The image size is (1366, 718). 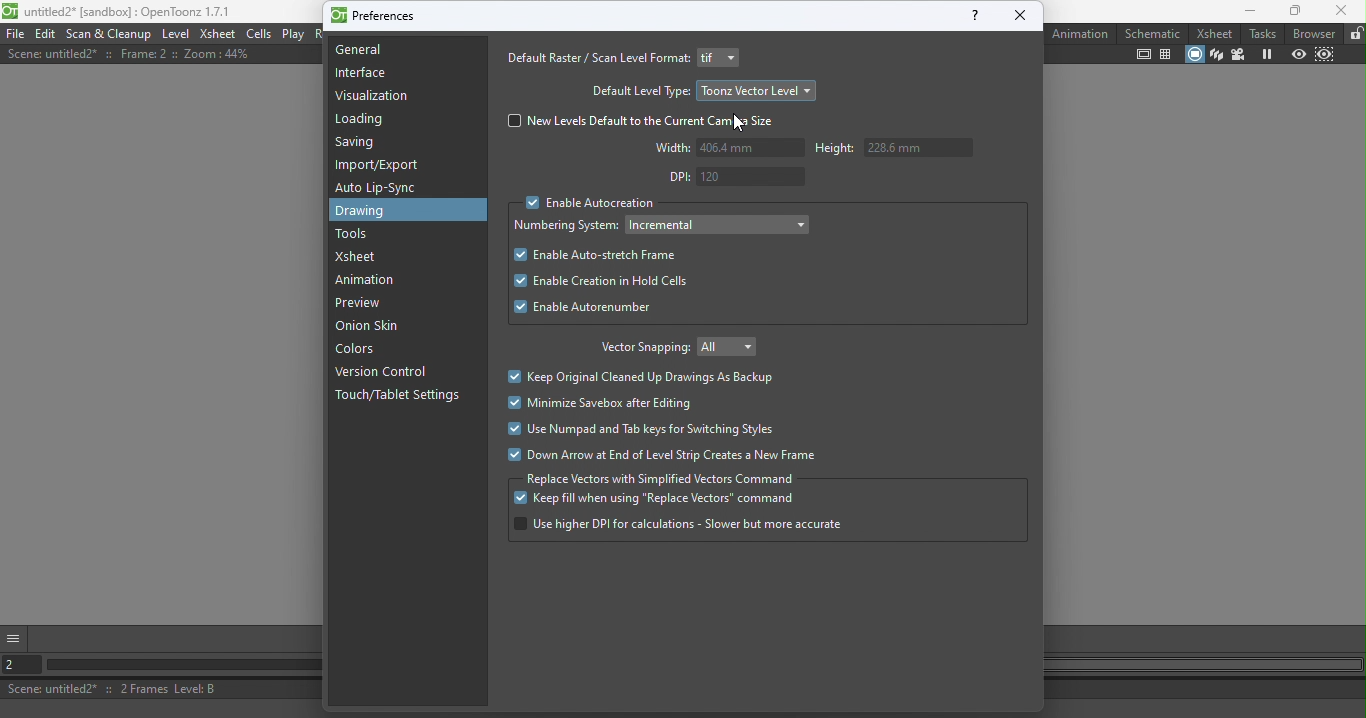 What do you see at coordinates (595, 283) in the screenshot?
I see `Enable creation in hold cells ` at bounding box center [595, 283].